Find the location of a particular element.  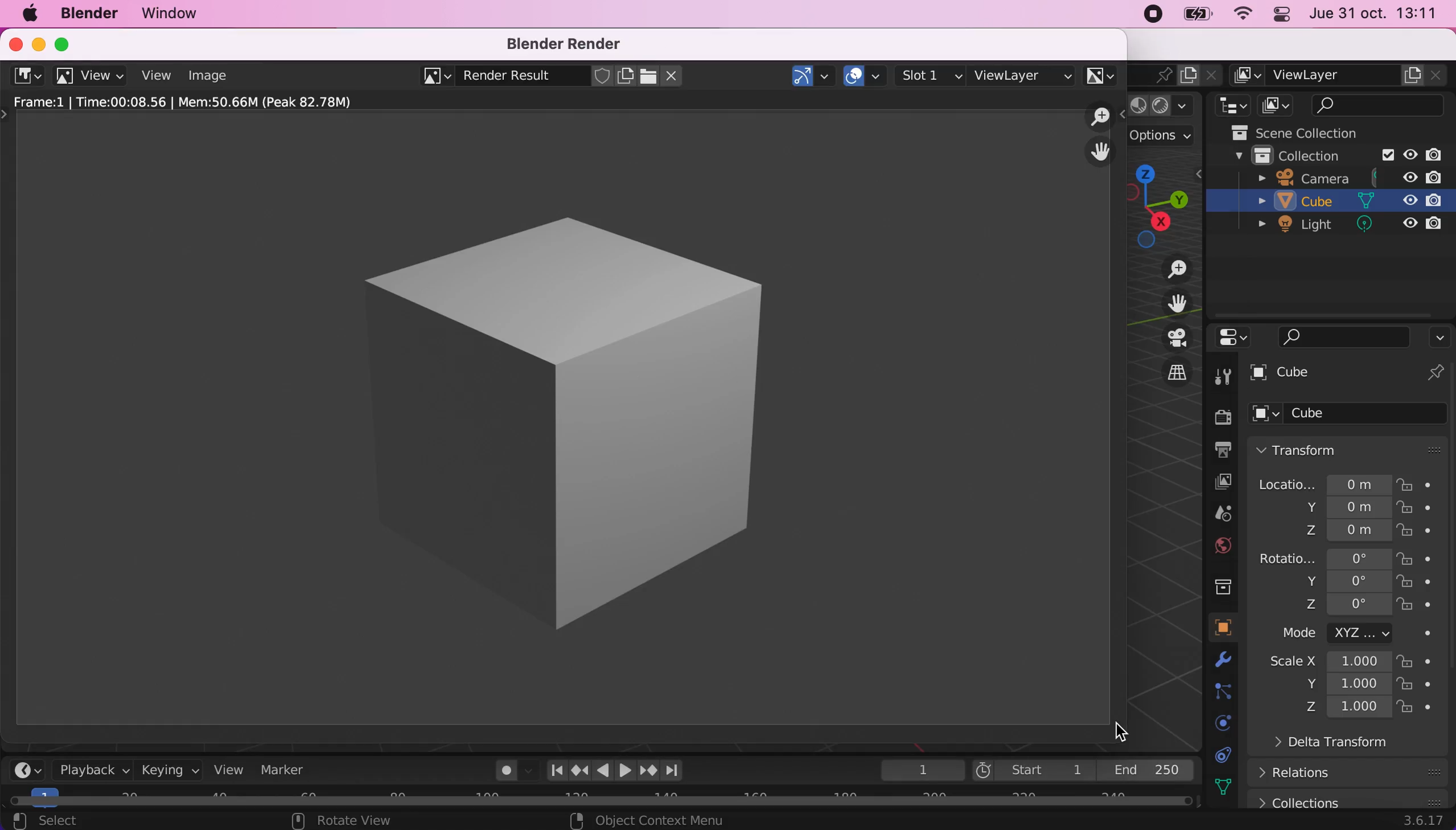

relations is located at coordinates (1302, 773).